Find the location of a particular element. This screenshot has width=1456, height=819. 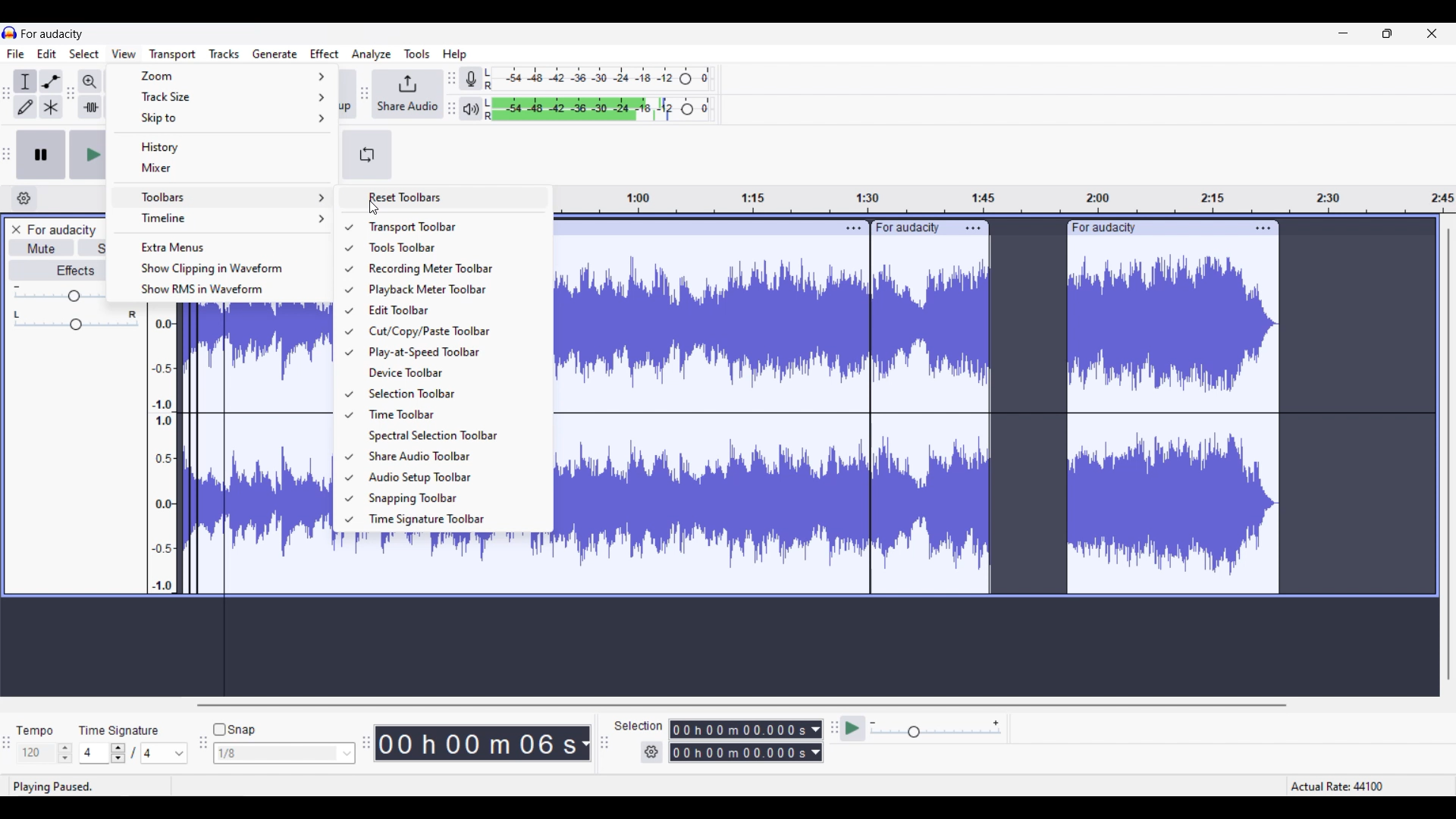

Skip to options is located at coordinates (222, 118).